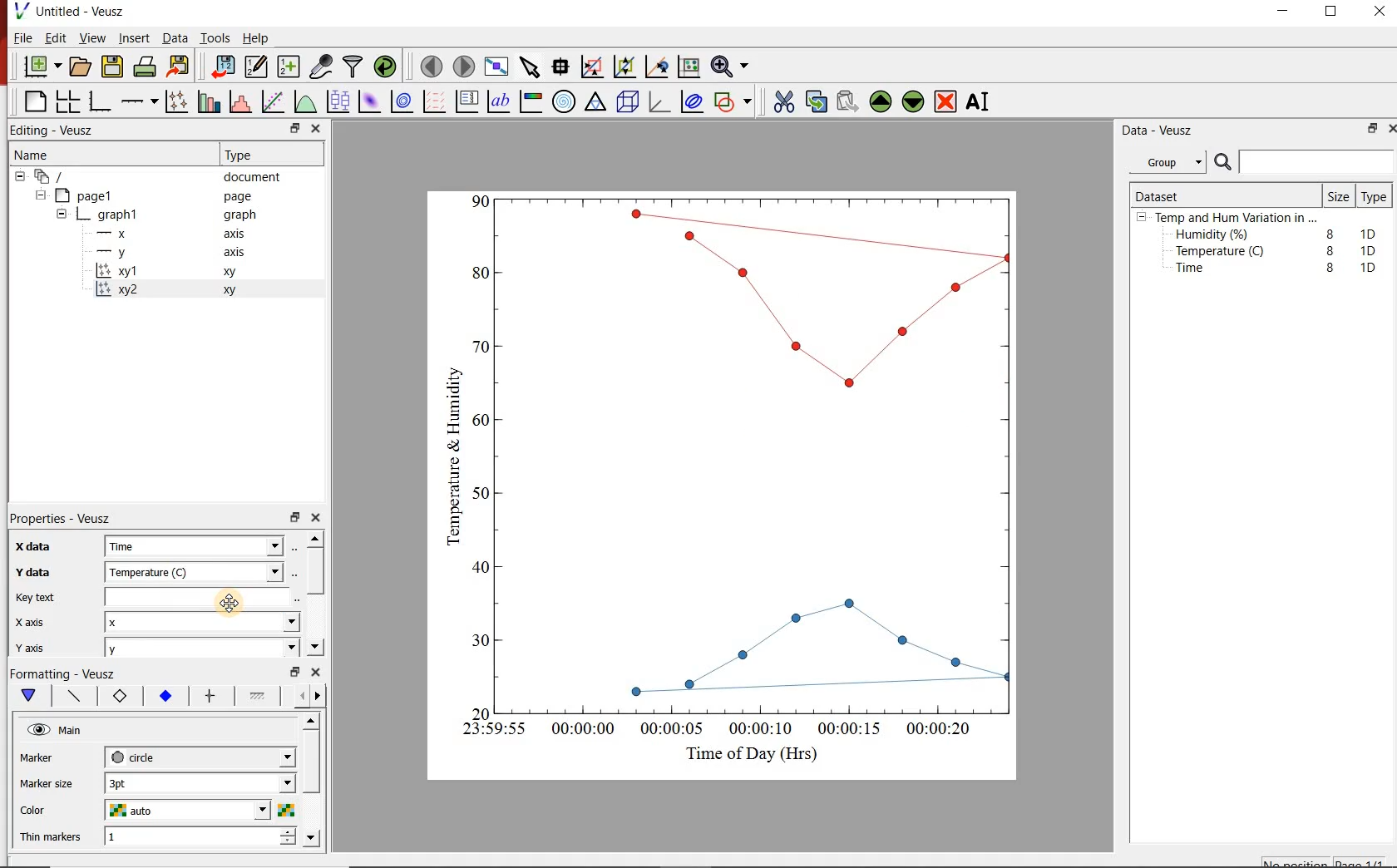 Image resolution: width=1397 pixels, height=868 pixels. What do you see at coordinates (49, 759) in the screenshot?
I see `Marker` at bounding box center [49, 759].